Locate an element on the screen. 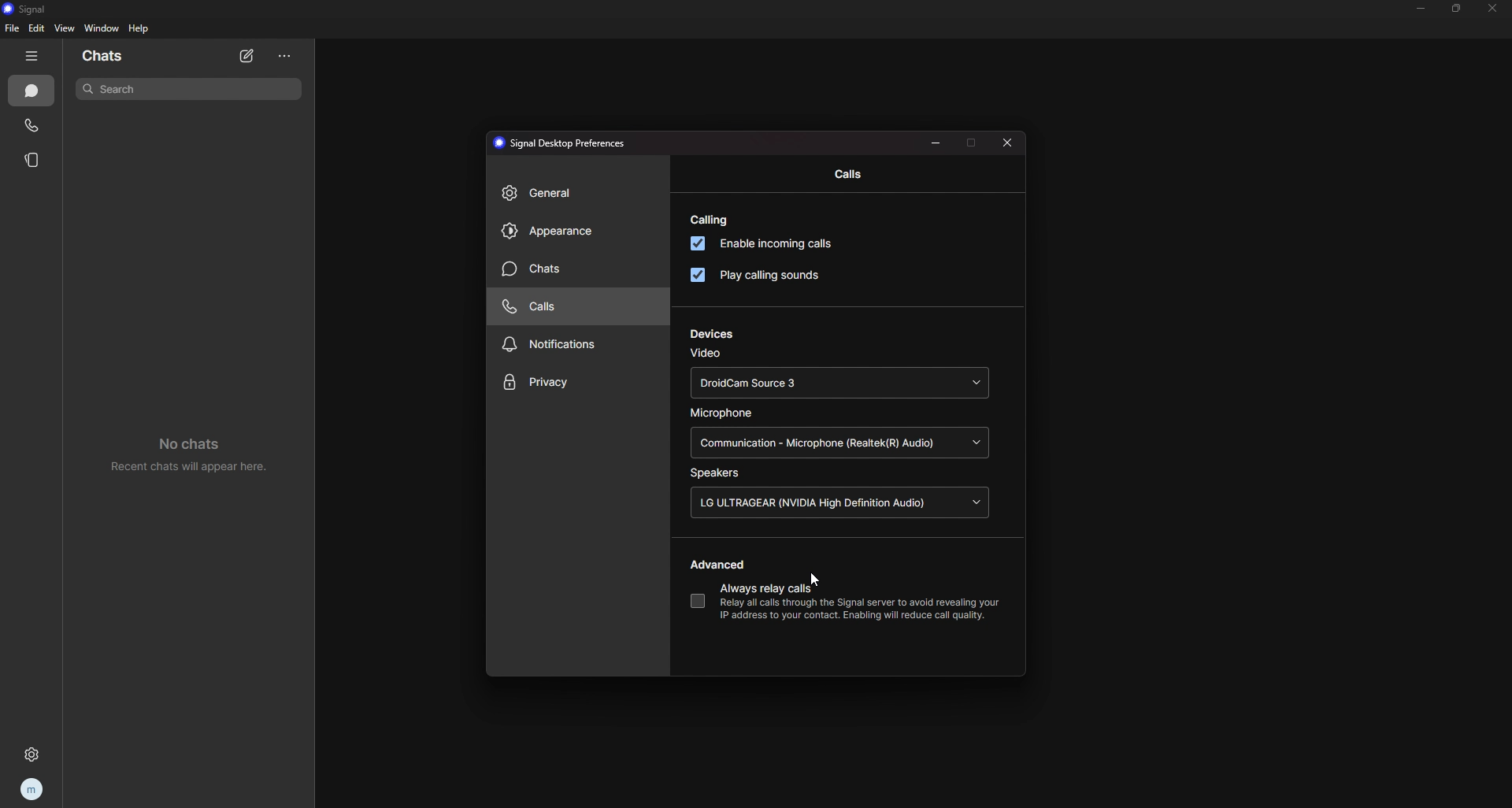  speakers is located at coordinates (715, 475).